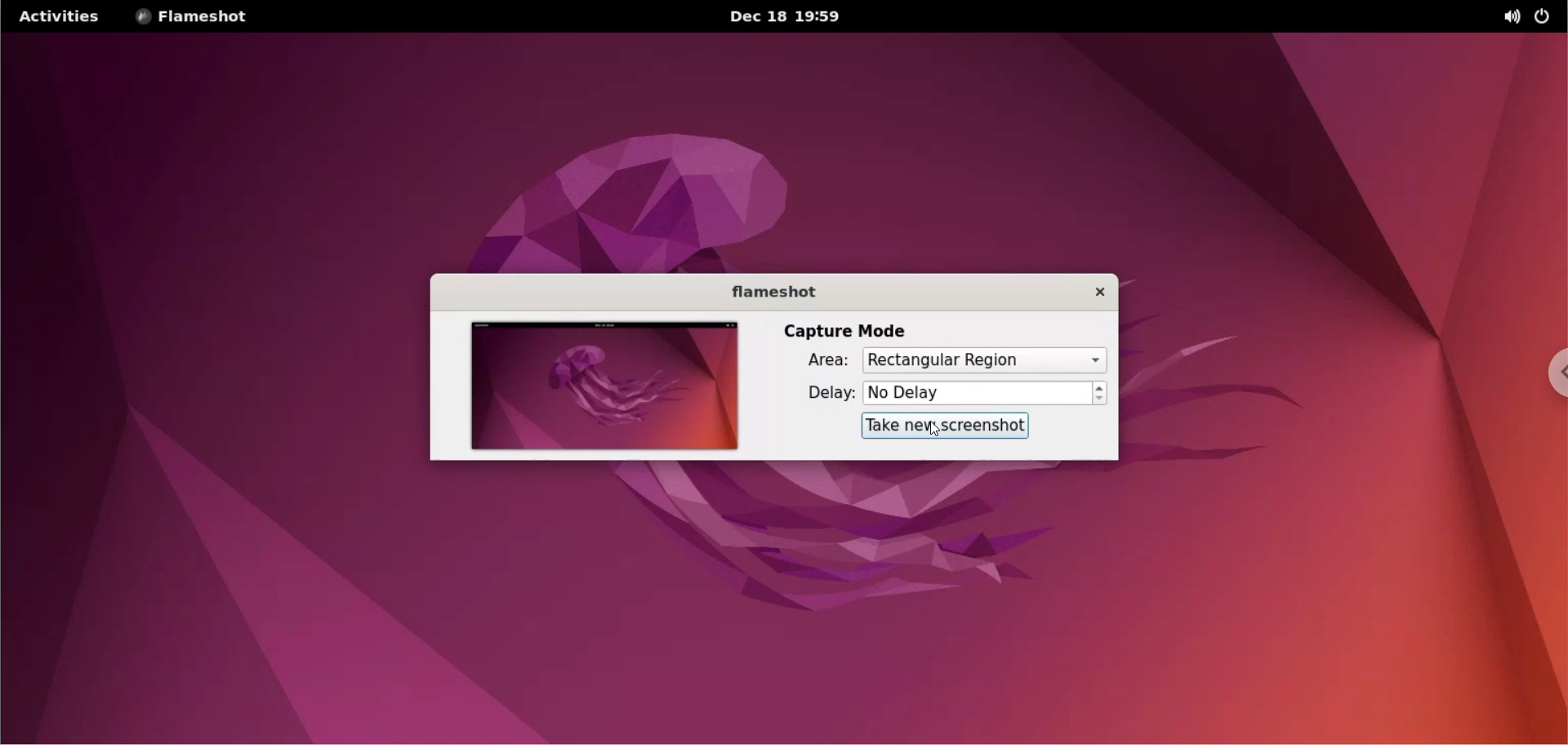  Describe the element at coordinates (1099, 292) in the screenshot. I see `close` at that location.